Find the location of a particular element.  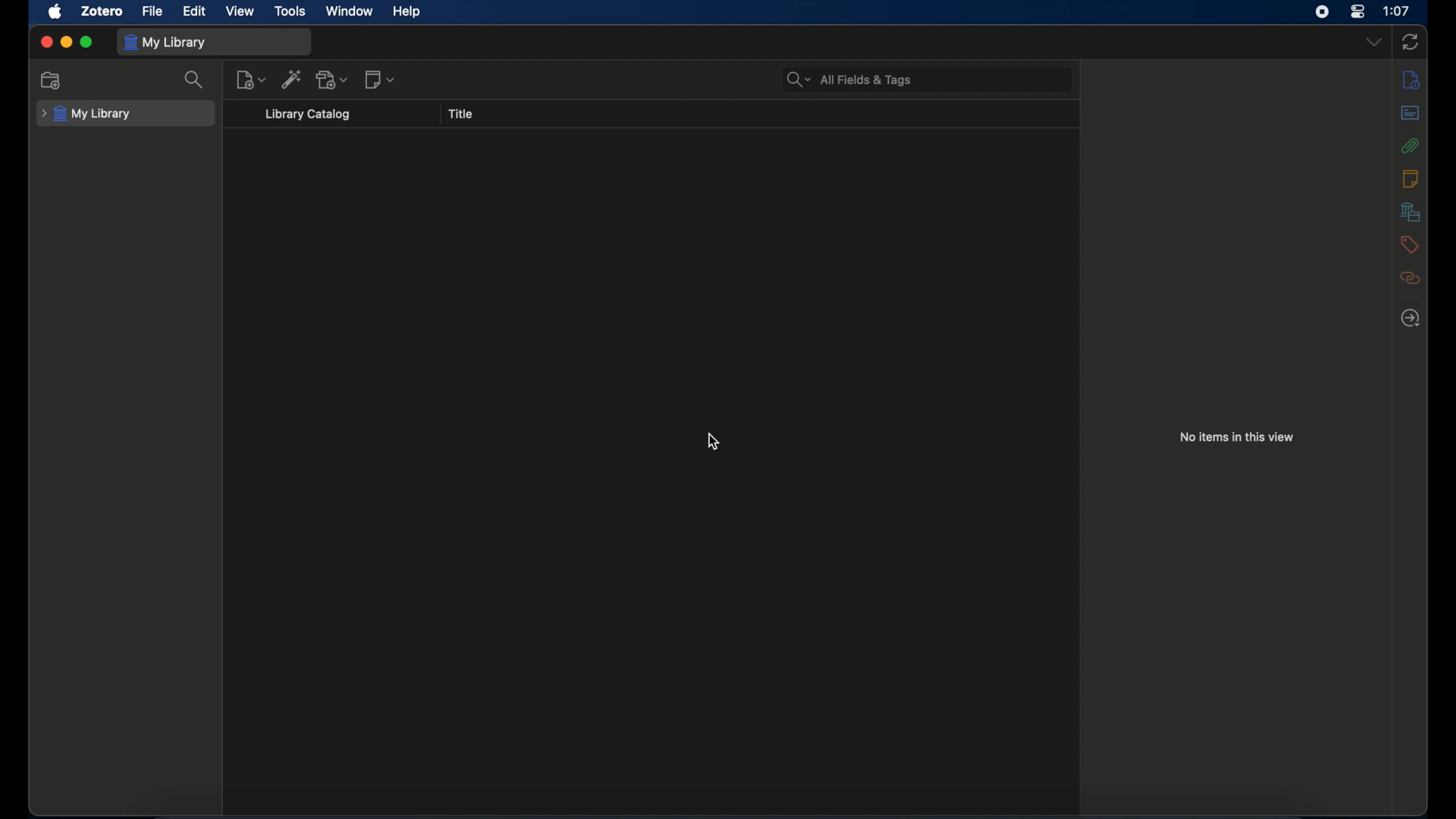

info is located at coordinates (1411, 80).